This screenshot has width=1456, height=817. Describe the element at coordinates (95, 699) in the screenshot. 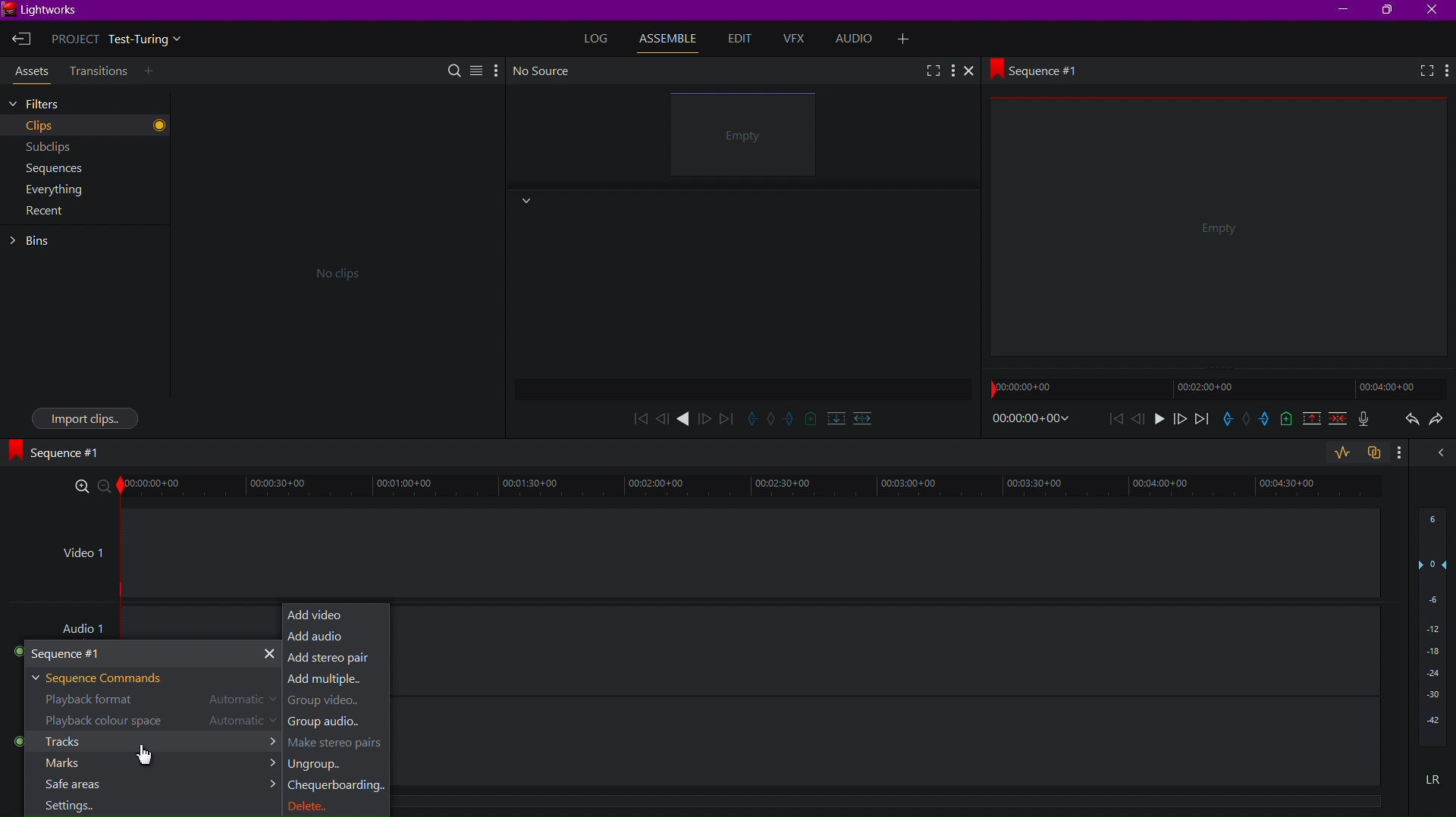

I see `Playback format` at that location.